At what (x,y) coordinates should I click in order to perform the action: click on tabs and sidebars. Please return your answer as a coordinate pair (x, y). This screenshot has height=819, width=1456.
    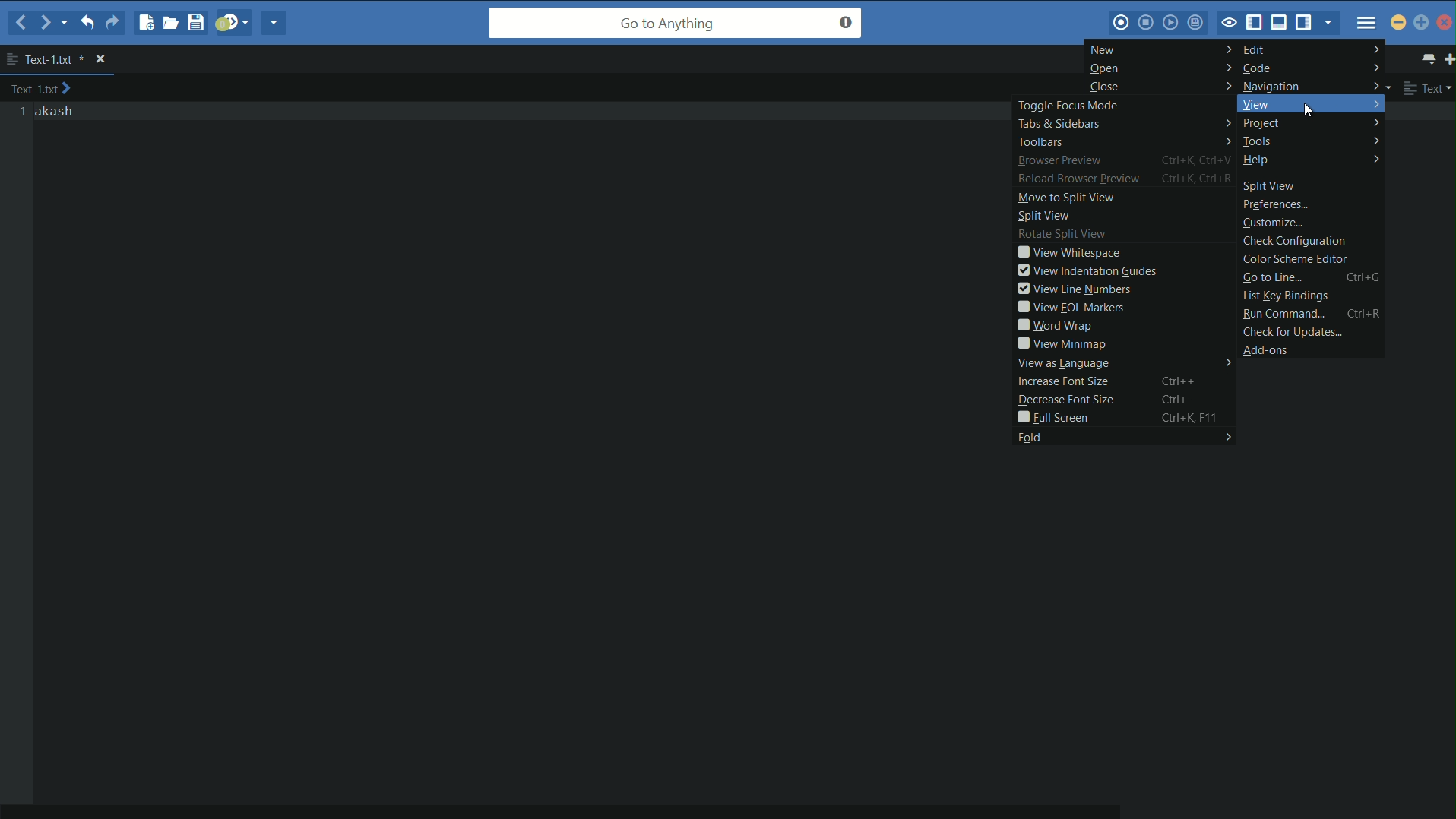
    Looking at the image, I should click on (1122, 123).